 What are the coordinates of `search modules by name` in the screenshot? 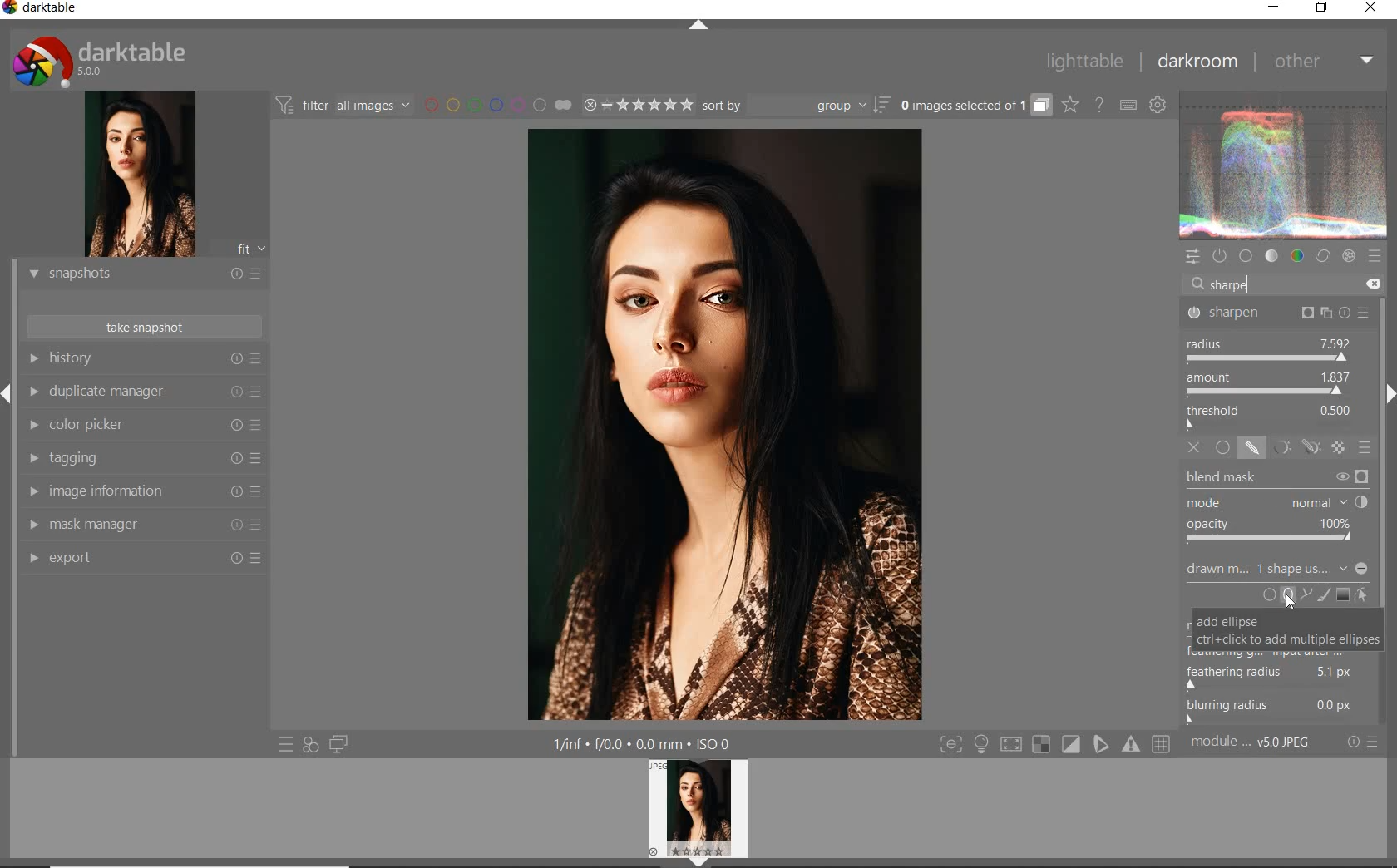 It's located at (1284, 284).